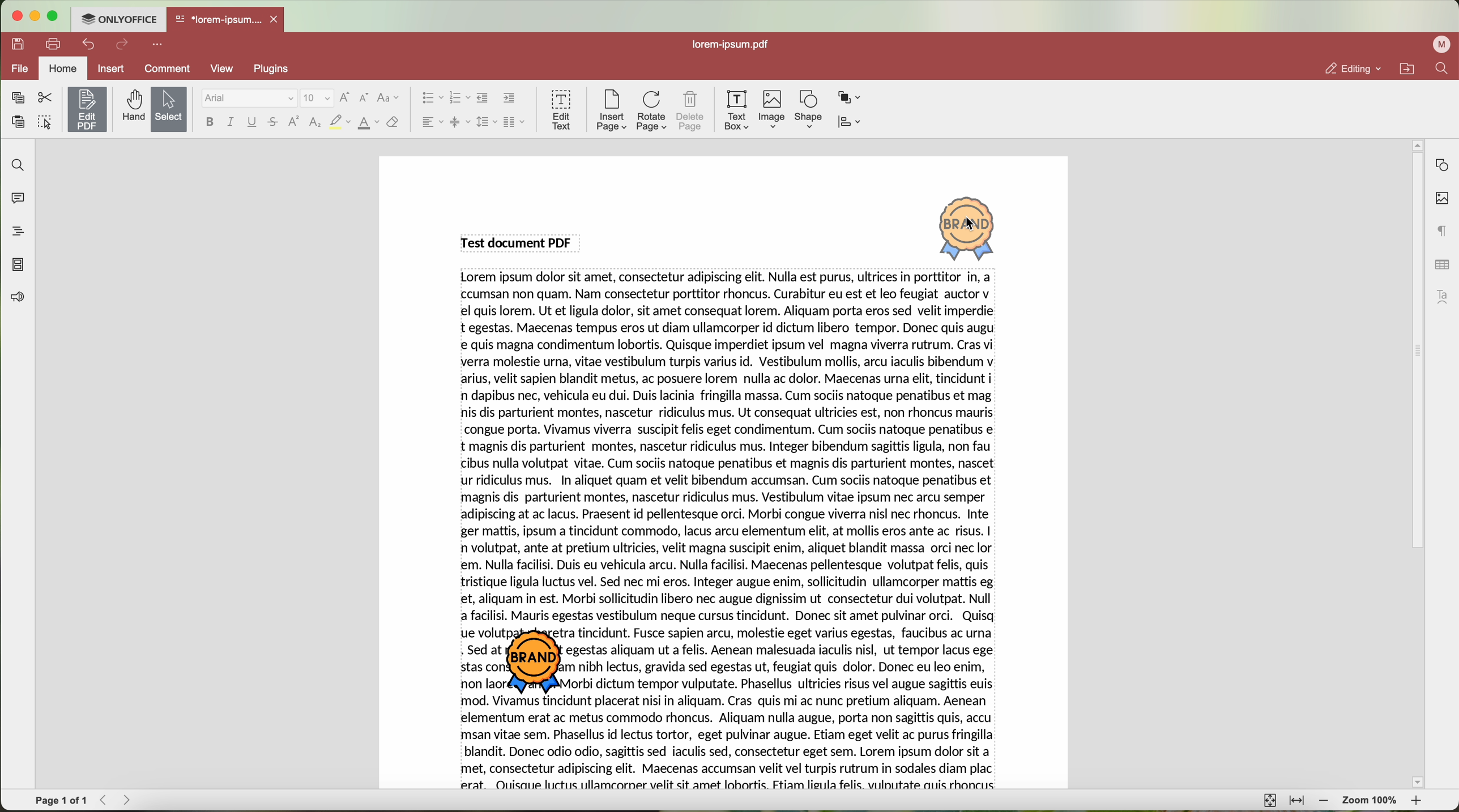  I want to click on Image, so click(540, 663).